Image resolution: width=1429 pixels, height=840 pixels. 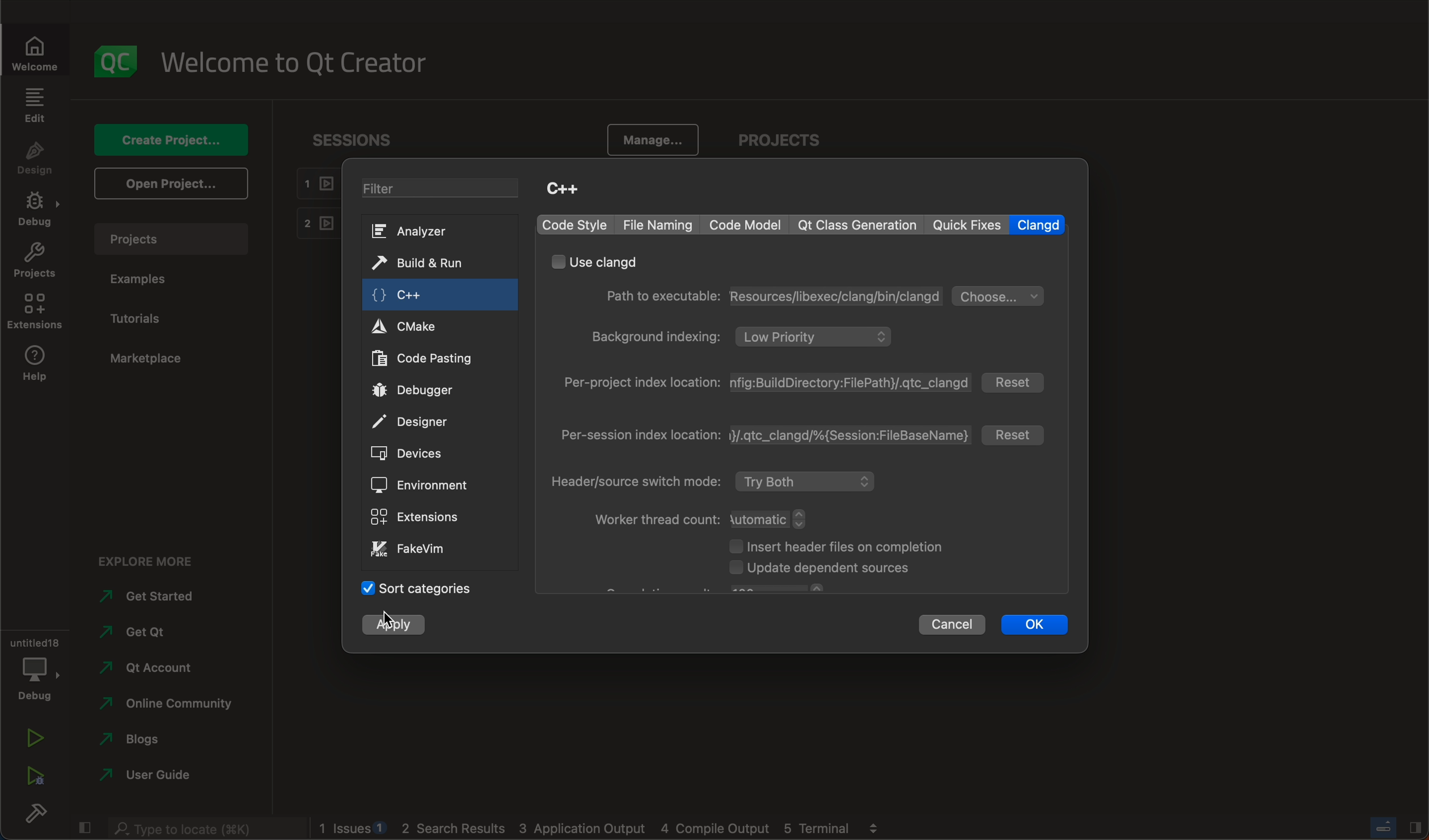 I want to click on choose, so click(x=1000, y=295).